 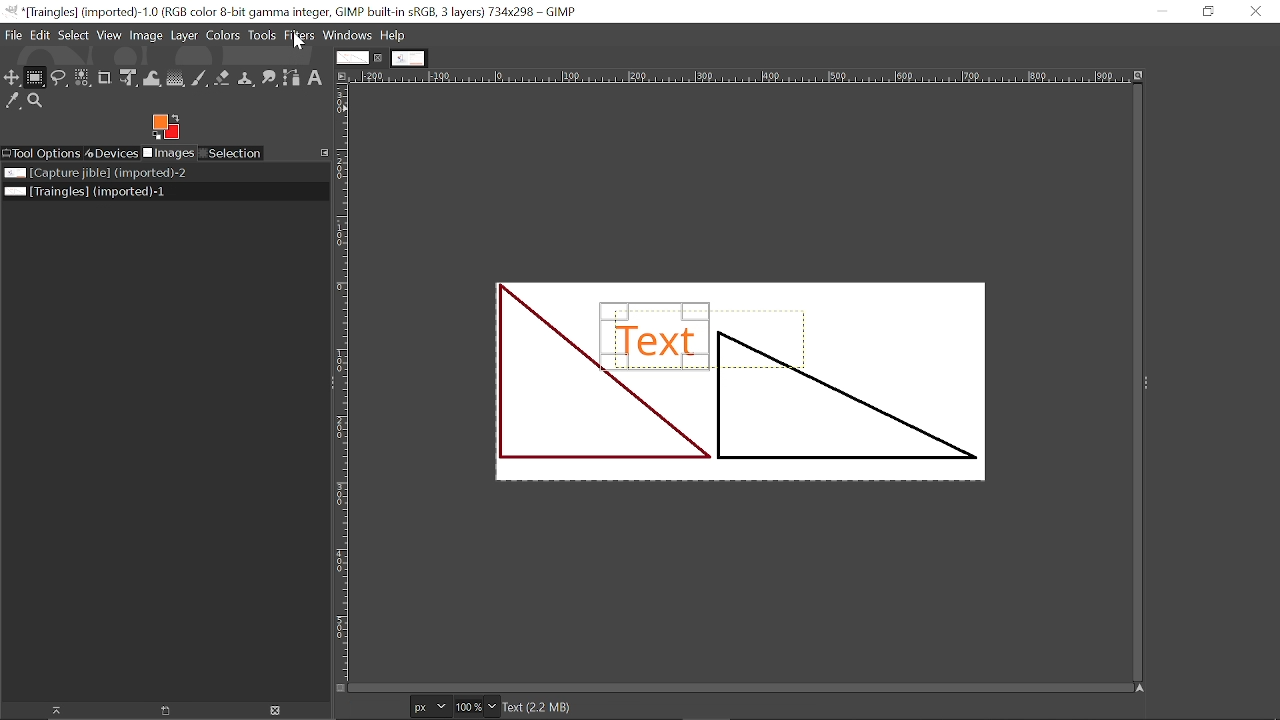 What do you see at coordinates (13, 35) in the screenshot?
I see `File` at bounding box center [13, 35].